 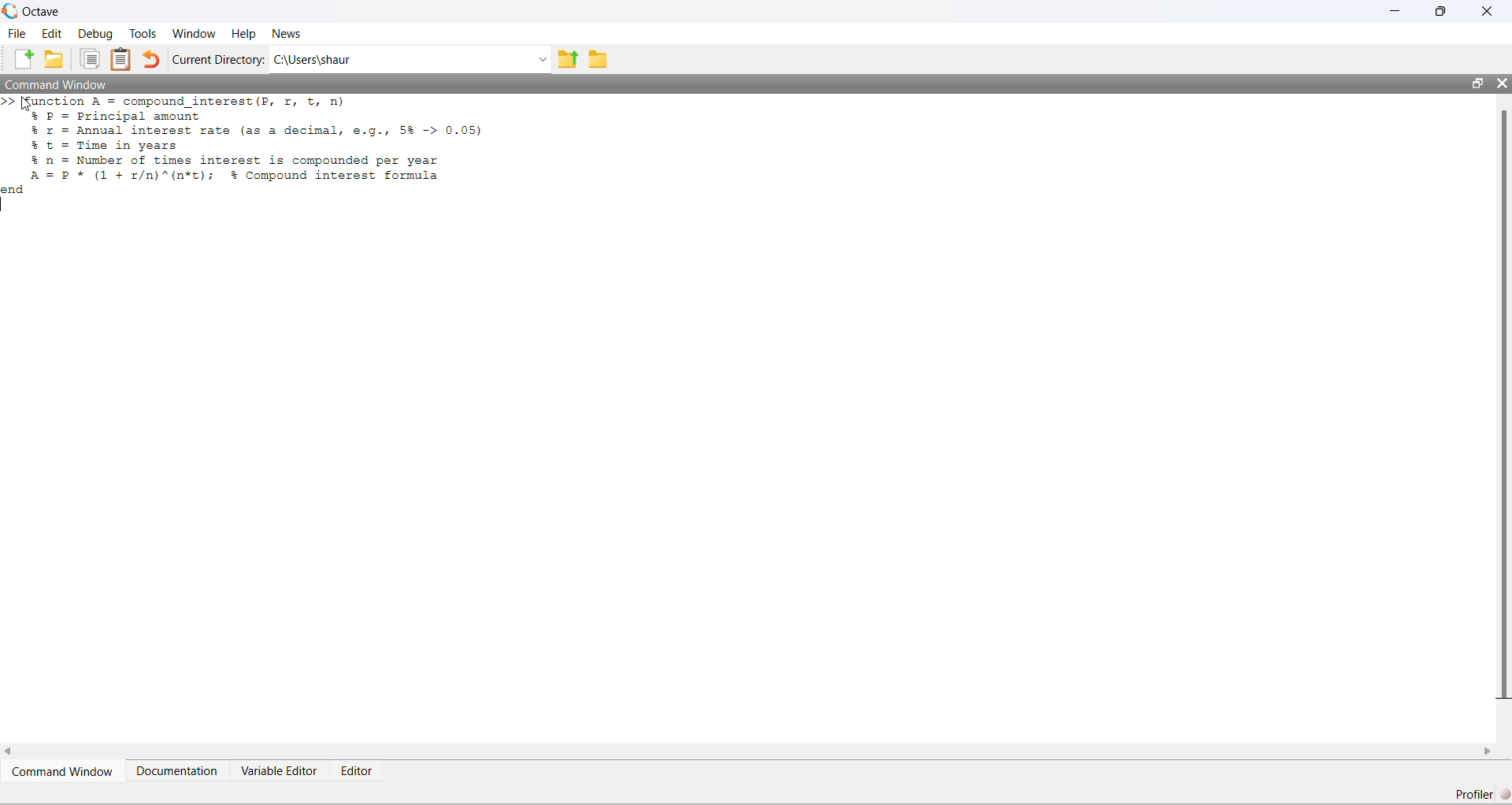 I want to click on Variable Editor, so click(x=280, y=770).